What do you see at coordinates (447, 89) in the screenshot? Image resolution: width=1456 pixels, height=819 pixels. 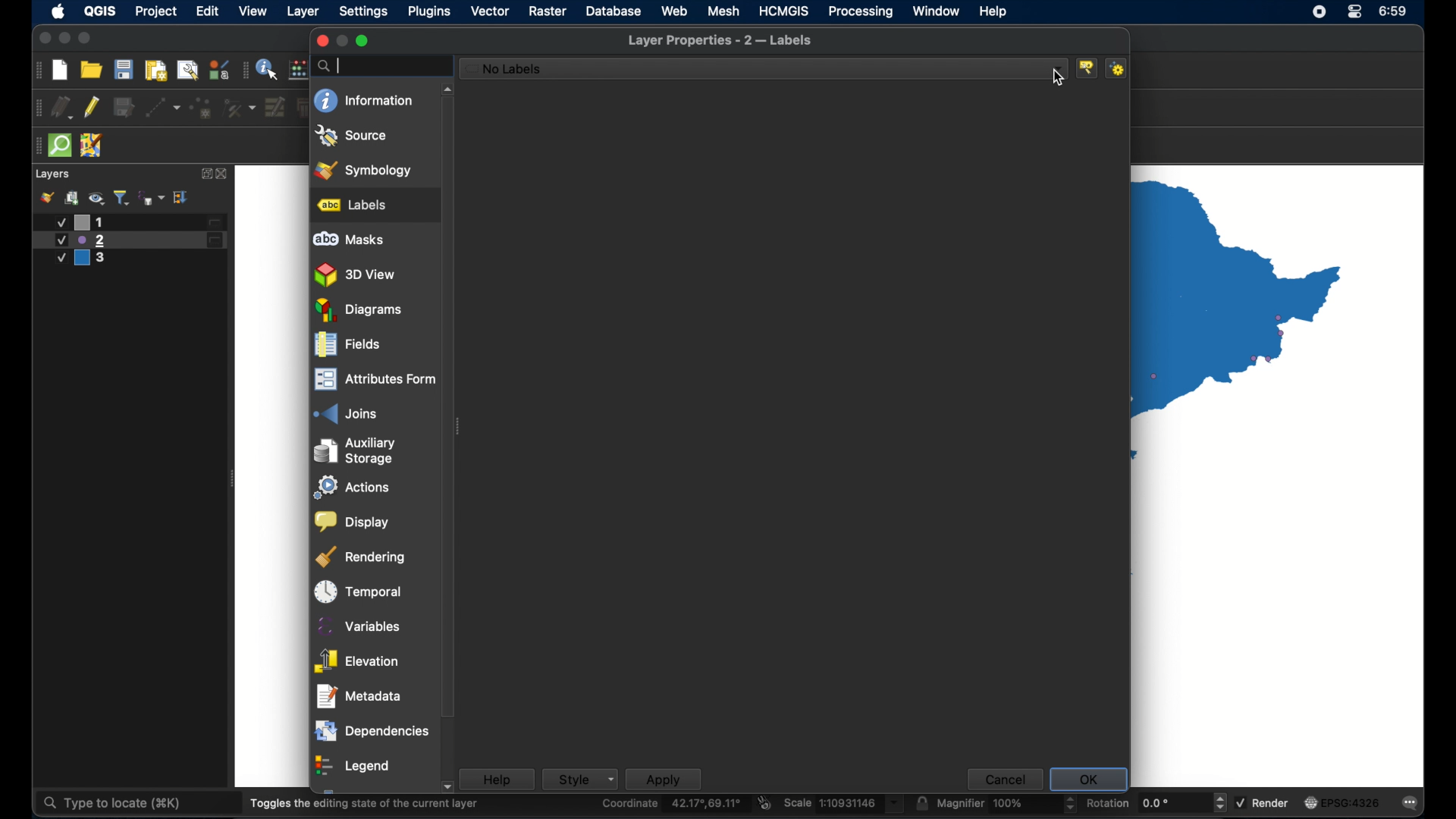 I see `scroll up arrow` at bounding box center [447, 89].